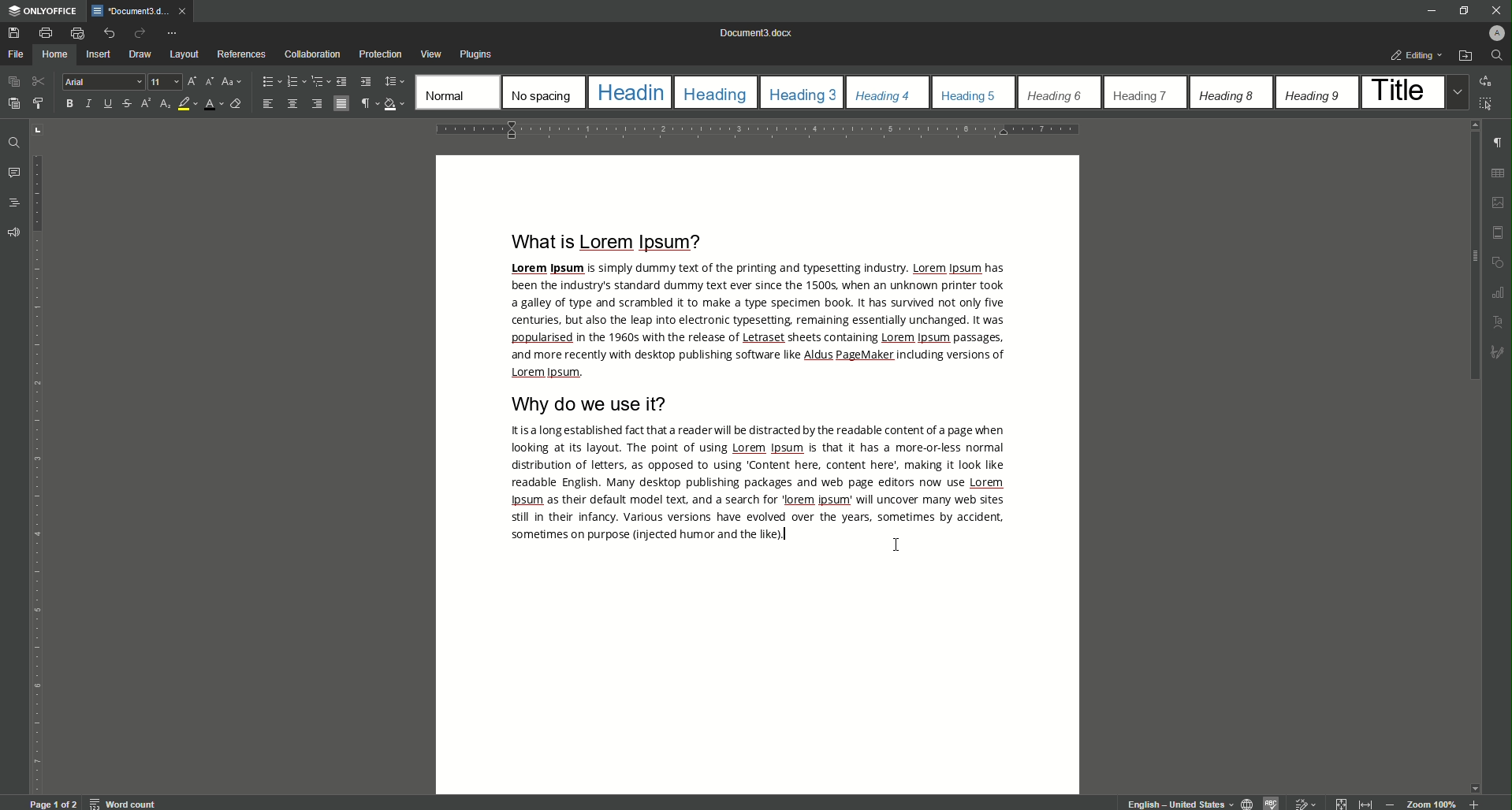 The width and height of the screenshot is (1512, 810). What do you see at coordinates (1473, 802) in the screenshot?
I see `Zoom in` at bounding box center [1473, 802].